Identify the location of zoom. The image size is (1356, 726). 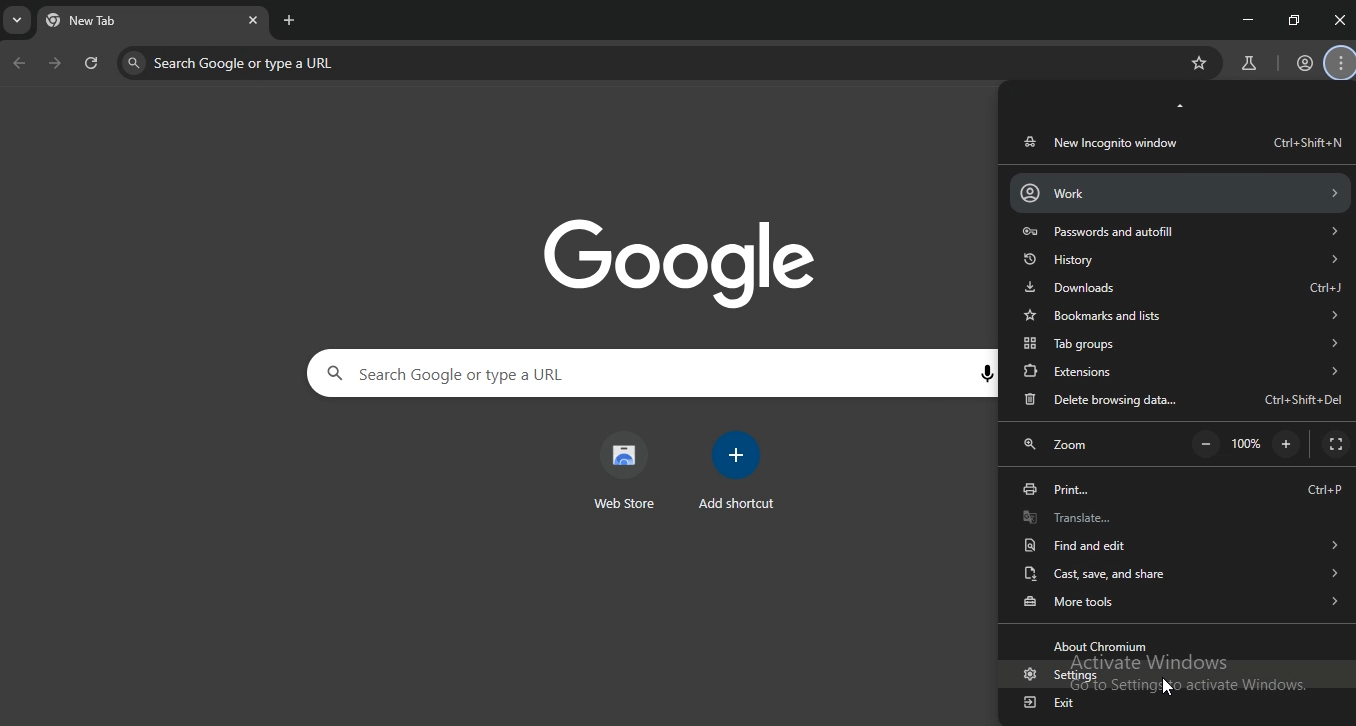
(1062, 447).